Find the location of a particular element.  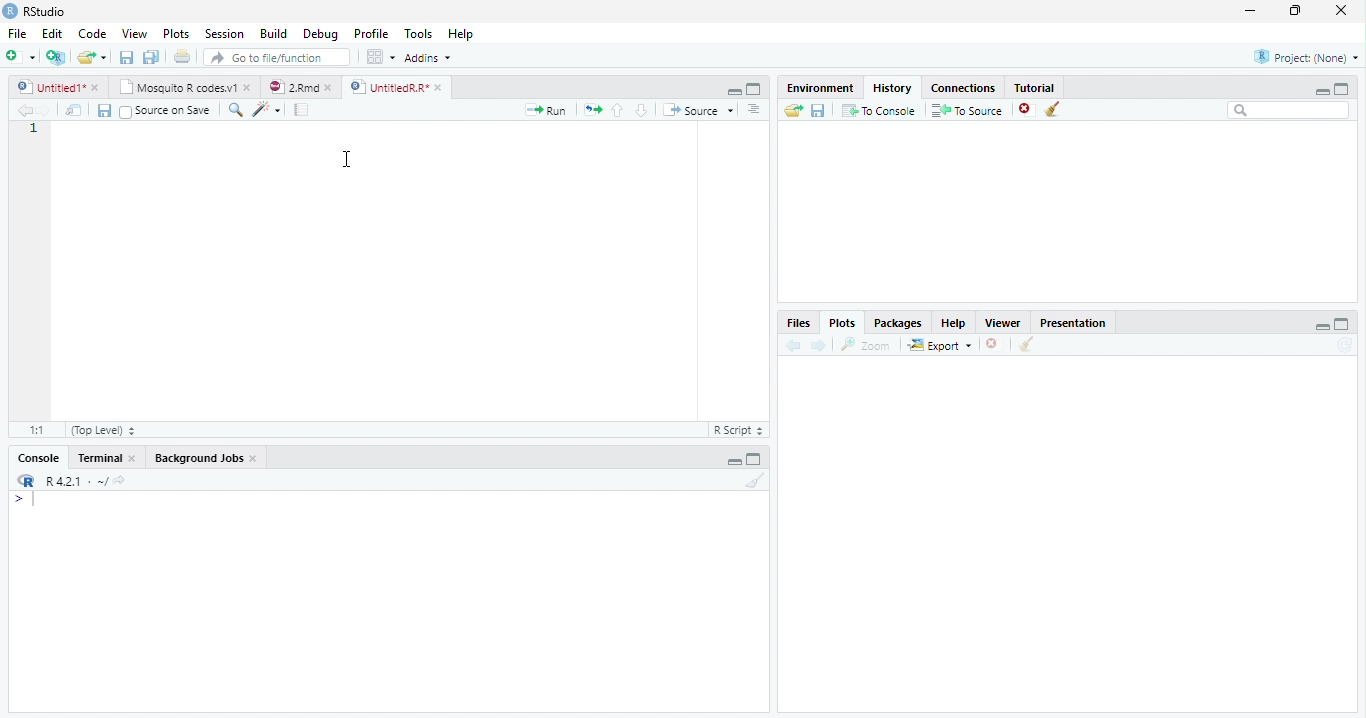

viewer is located at coordinates (1003, 324).